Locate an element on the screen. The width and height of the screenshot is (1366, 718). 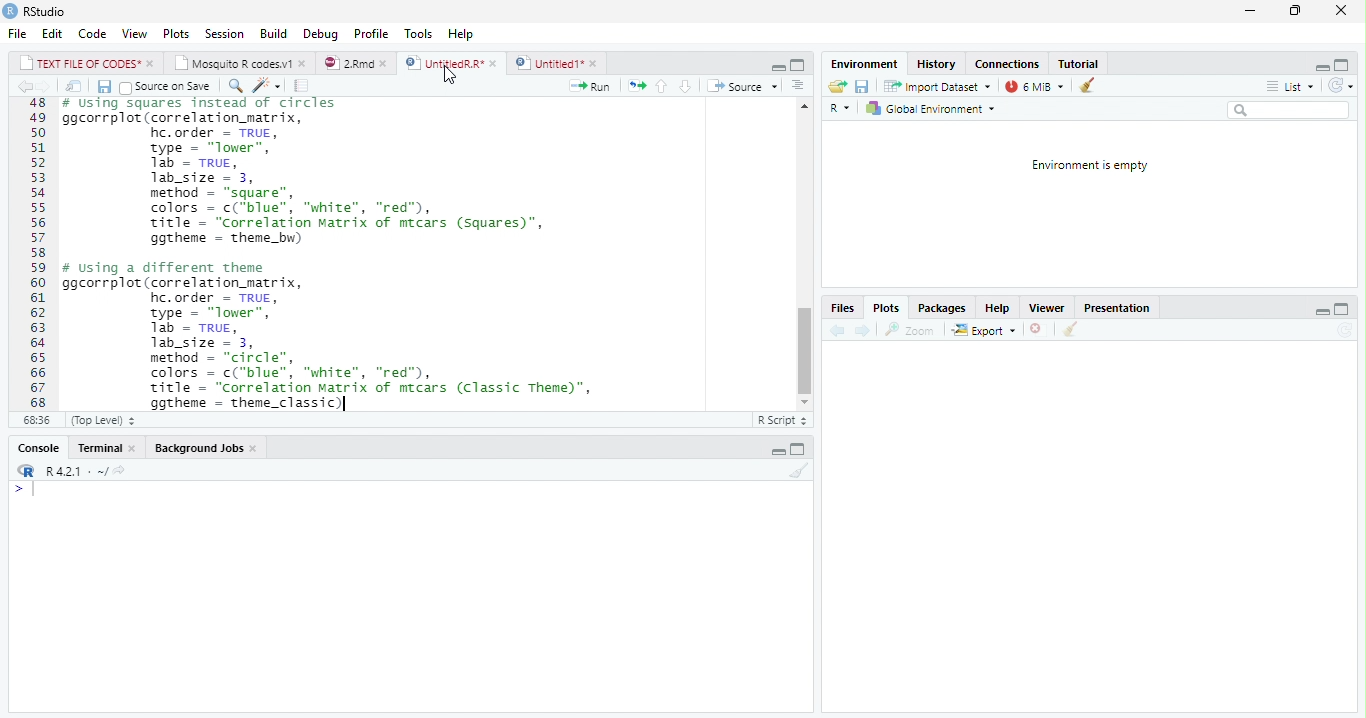
 UntitiedR is located at coordinates (452, 63).